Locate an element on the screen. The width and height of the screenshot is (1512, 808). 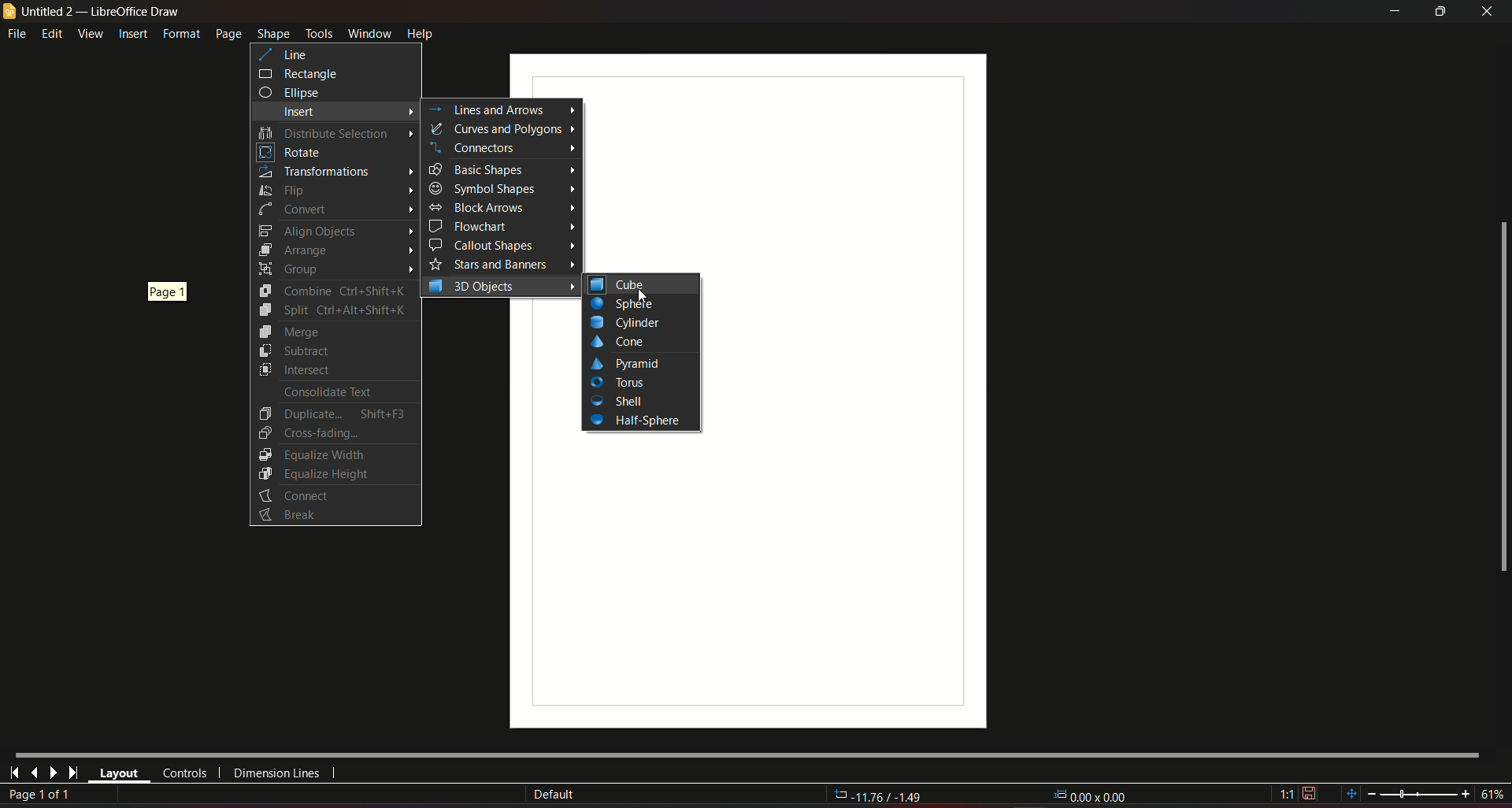
Arrow is located at coordinates (571, 245).